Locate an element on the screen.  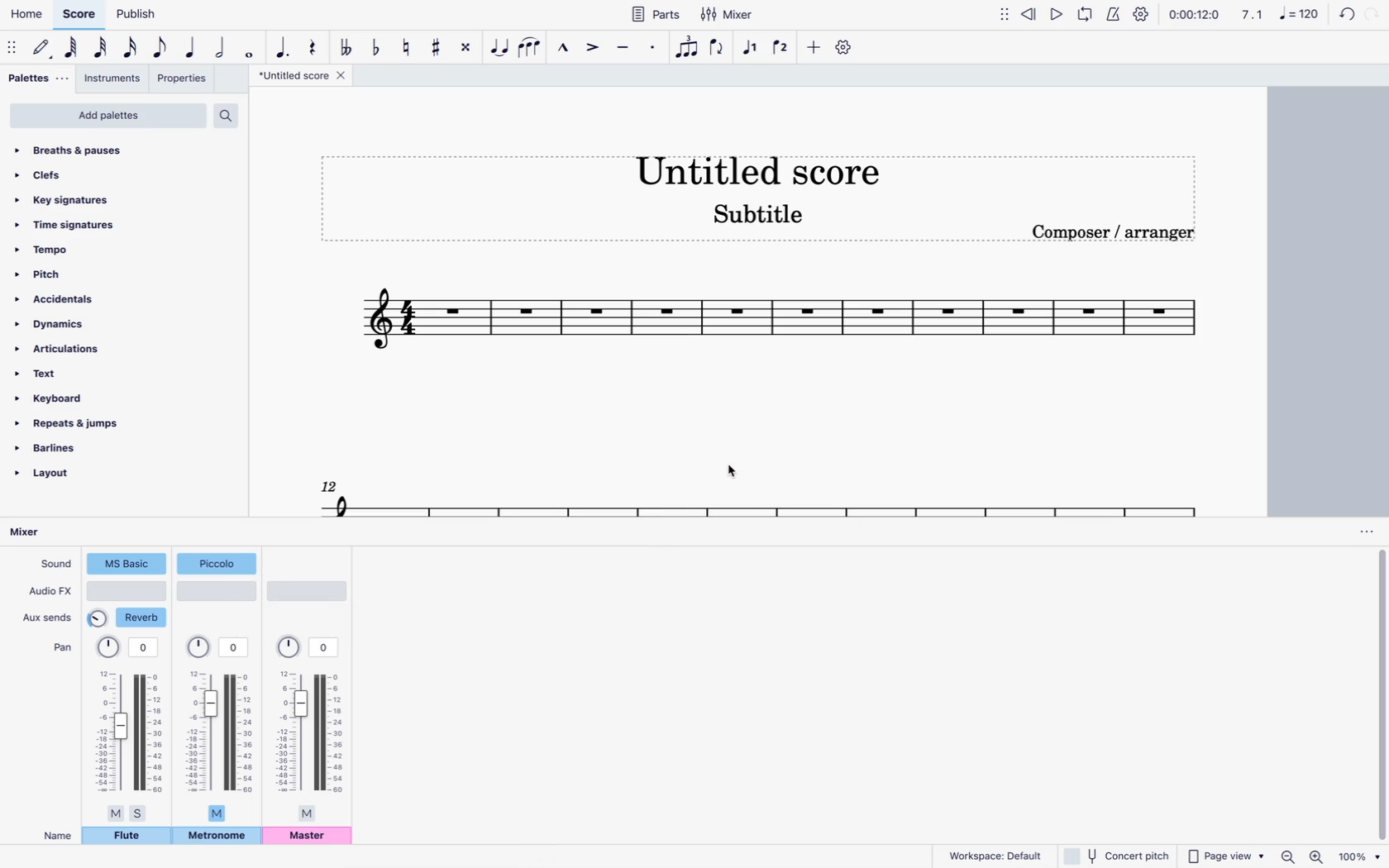
master is located at coordinates (311, 838).